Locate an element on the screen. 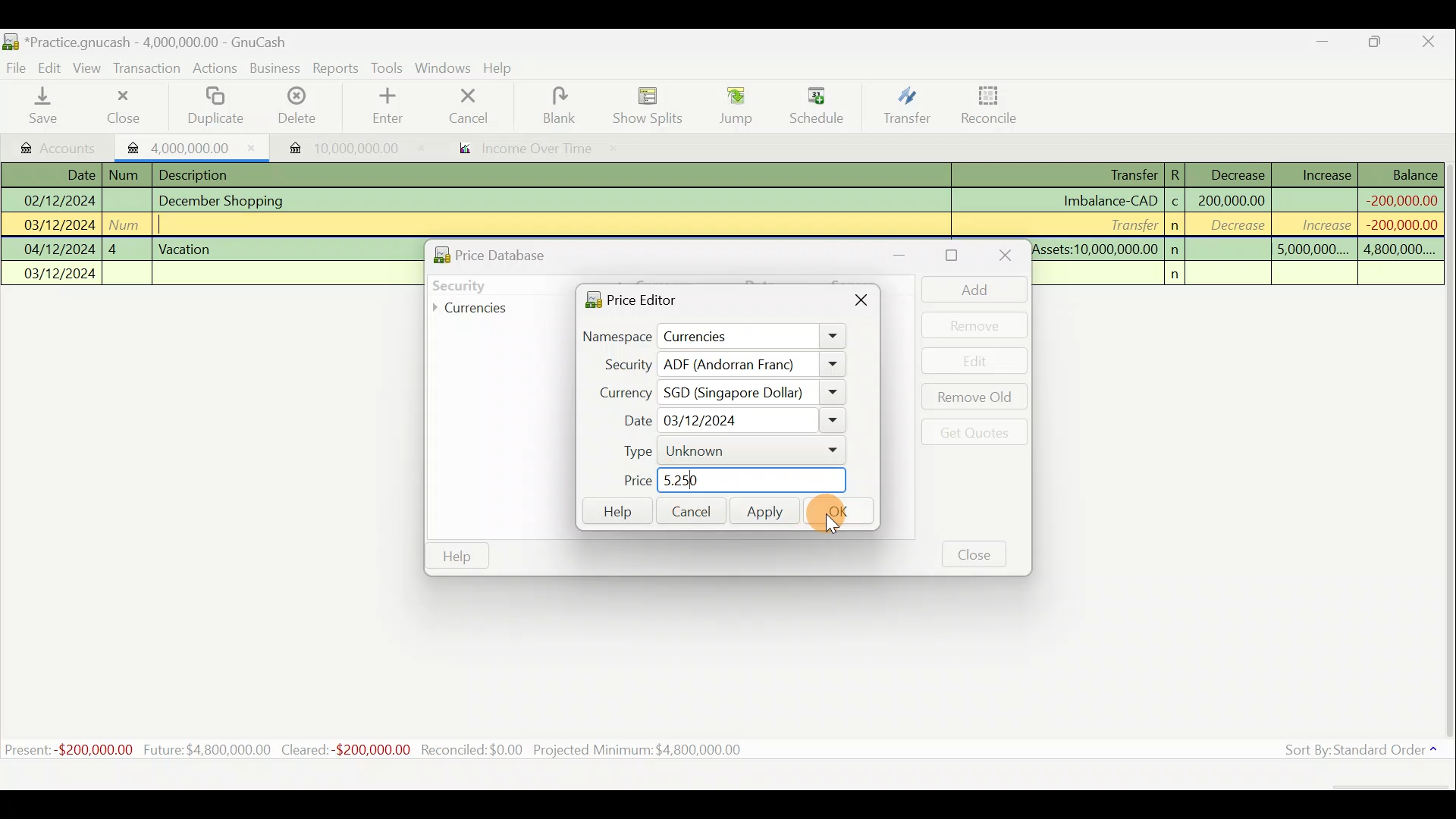  Maximise is located at coordinates (954, 256).